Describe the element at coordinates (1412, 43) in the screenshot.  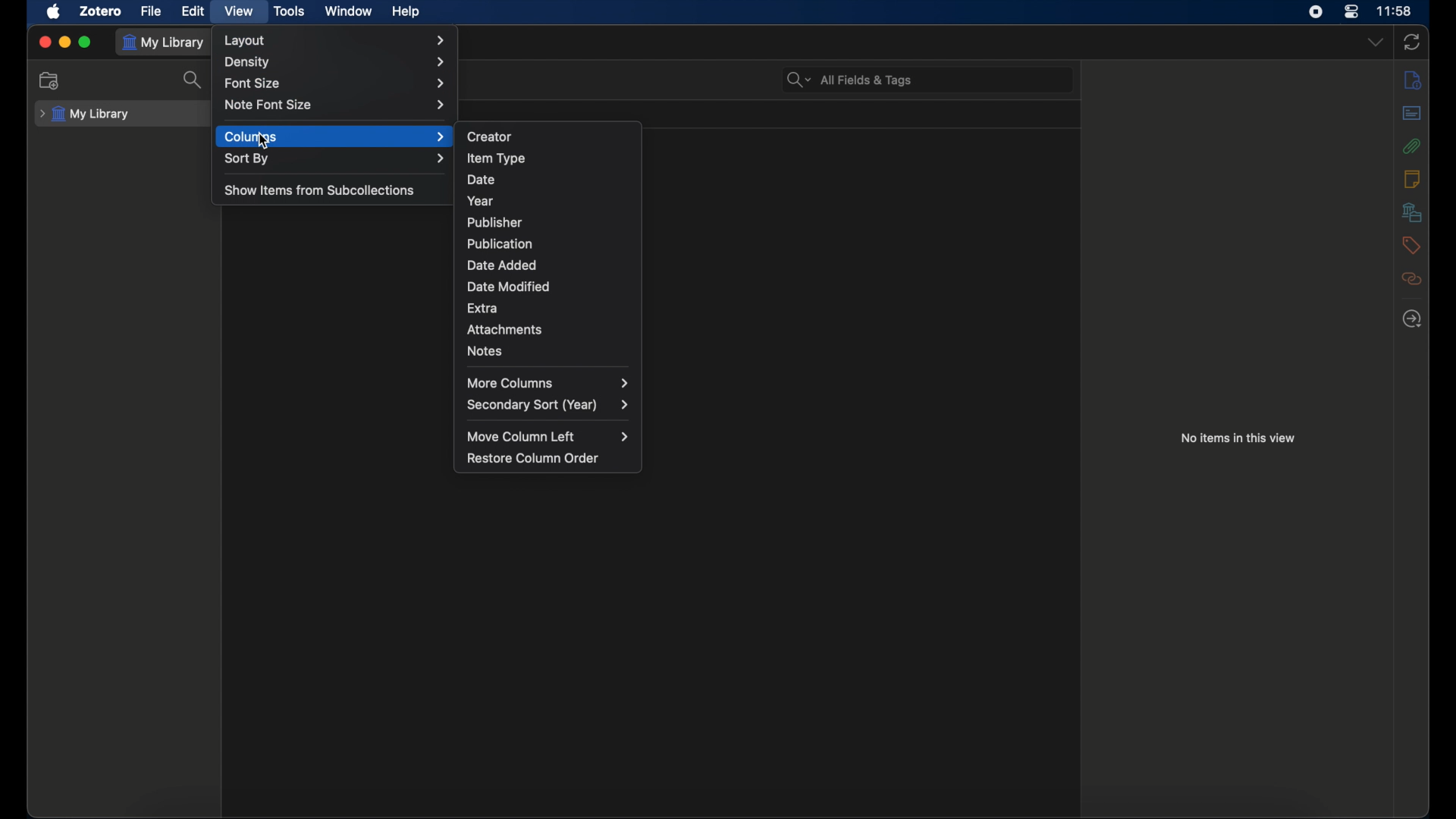
I see `sync` at that location.